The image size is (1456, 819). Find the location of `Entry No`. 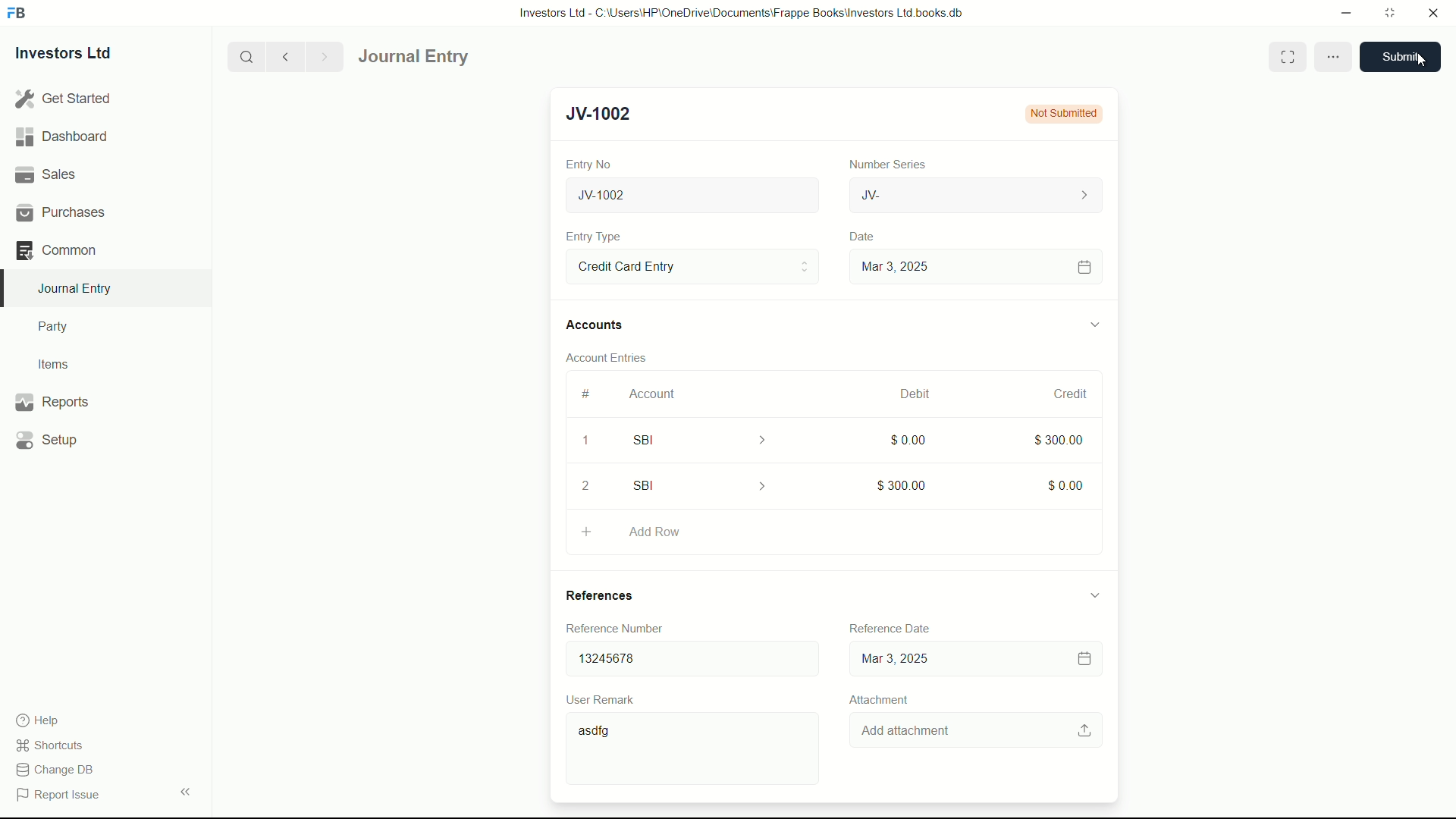

Entry No is located at coordinates (591, 162).